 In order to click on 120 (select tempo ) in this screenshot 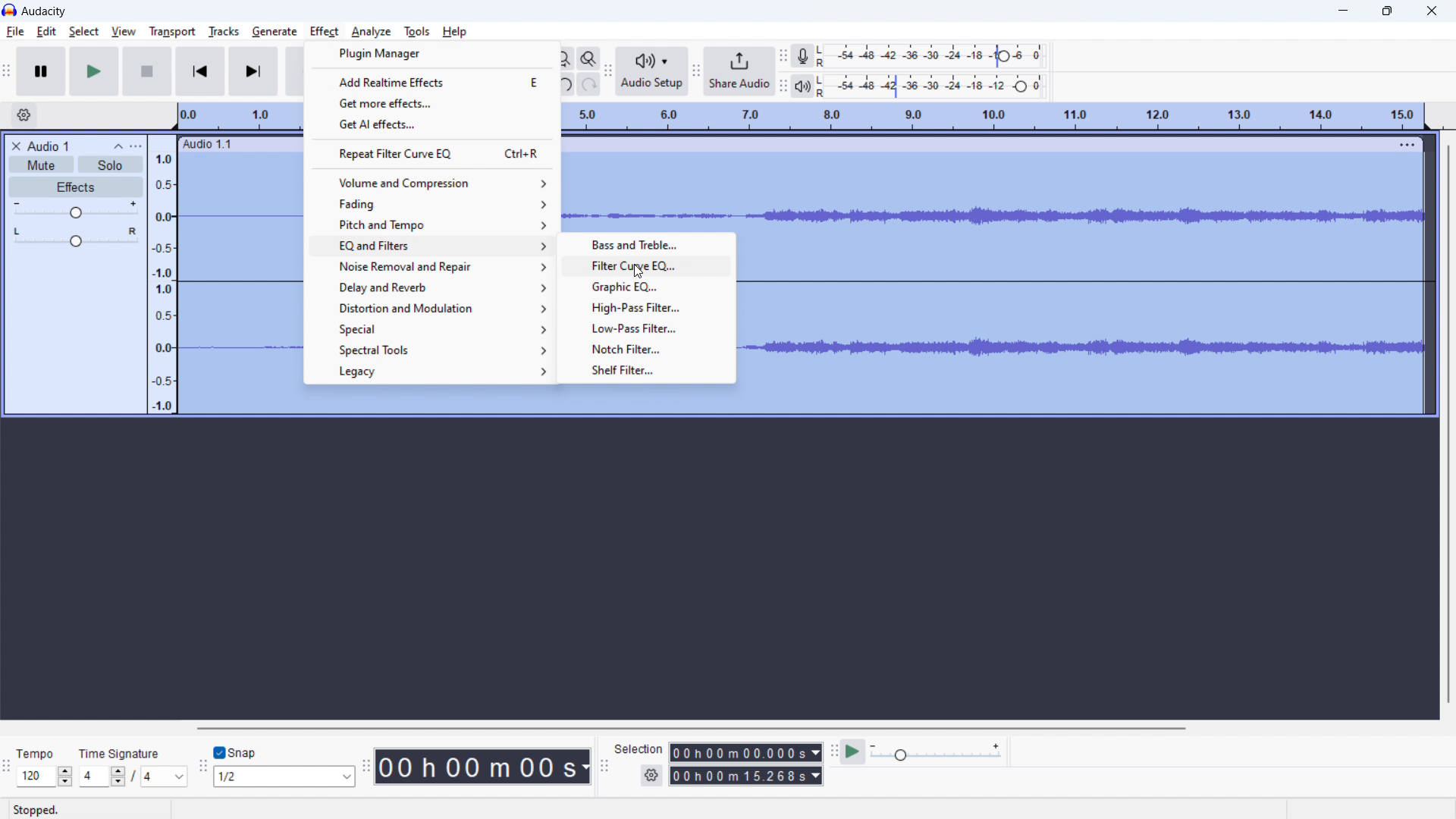, I will do `click(44, 777)`.